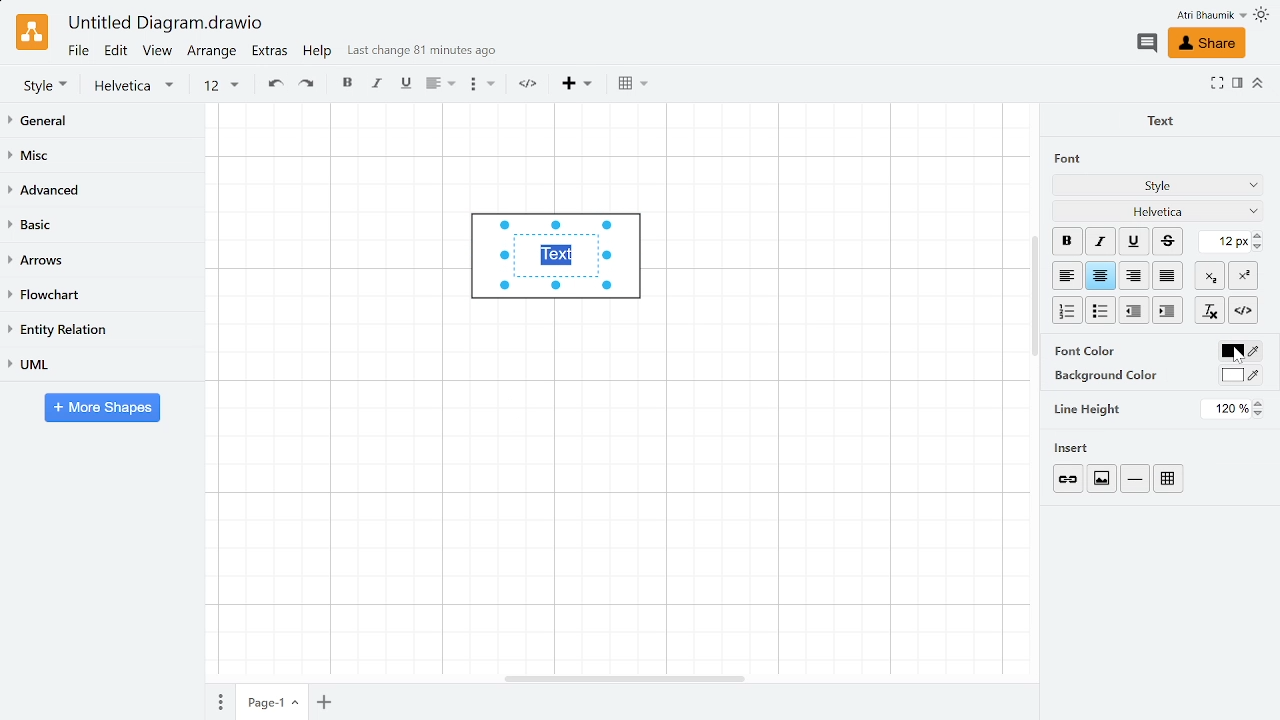  What do you see at coordinates (1237, 85) in the screenshot?
I see `Format` at bounding box center [1237, 85].